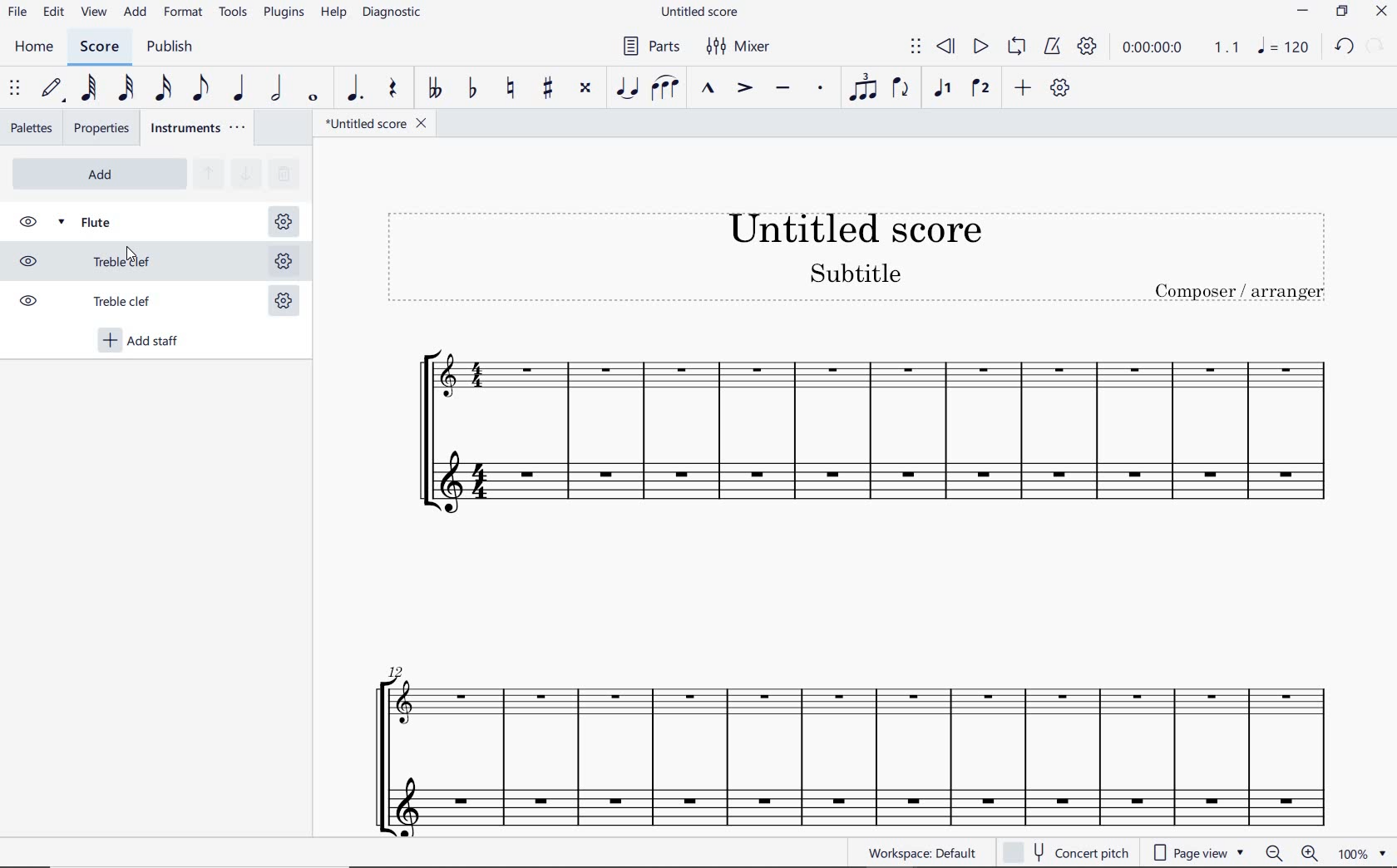  Describe the element at coordinates (283, 303) in the screenshot. I see `STAFF SETTING` at that location.